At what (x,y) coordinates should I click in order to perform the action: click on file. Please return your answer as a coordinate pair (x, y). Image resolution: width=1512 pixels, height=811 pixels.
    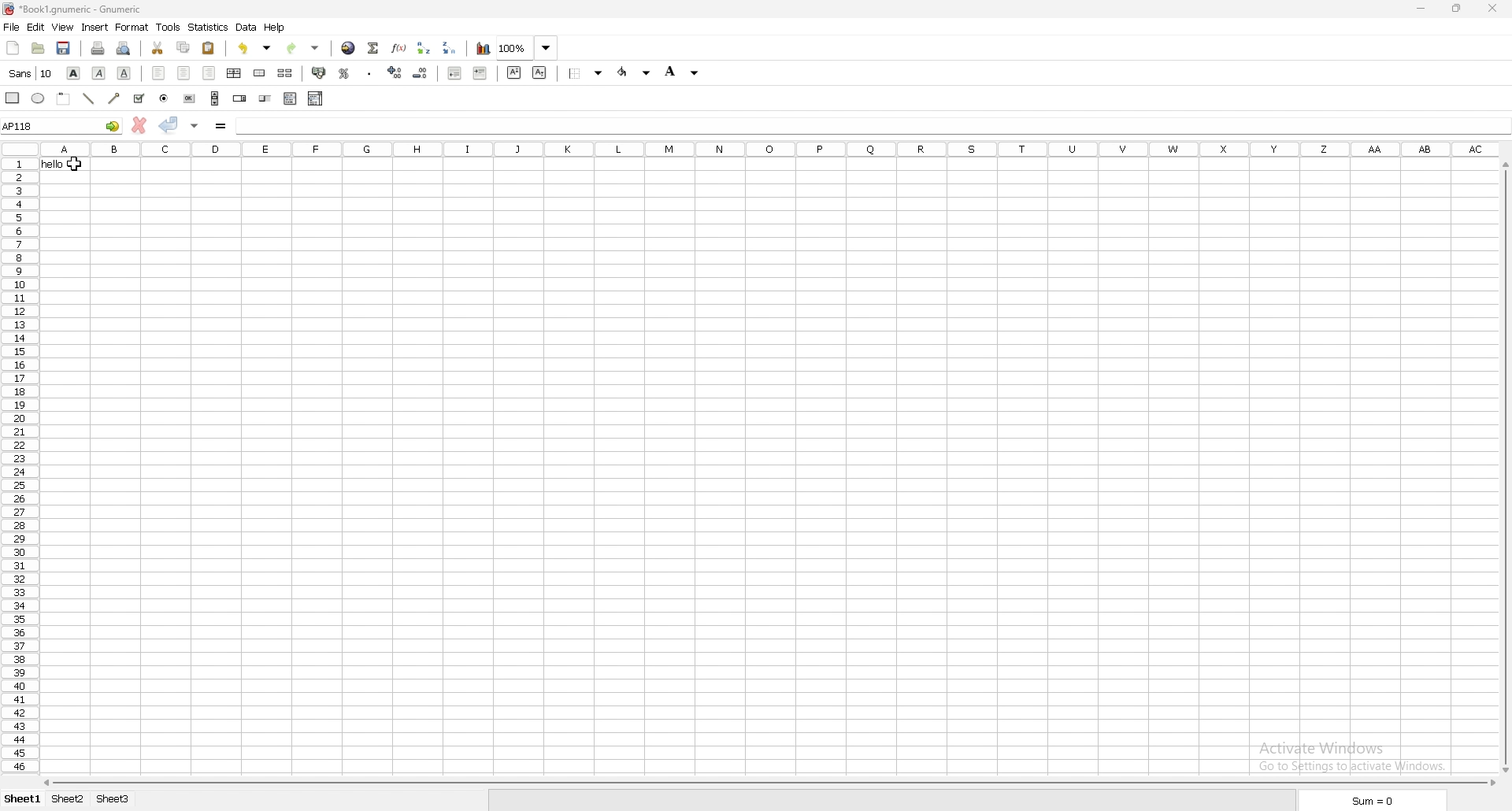
    Looking at the image, I should click on (12, 26).